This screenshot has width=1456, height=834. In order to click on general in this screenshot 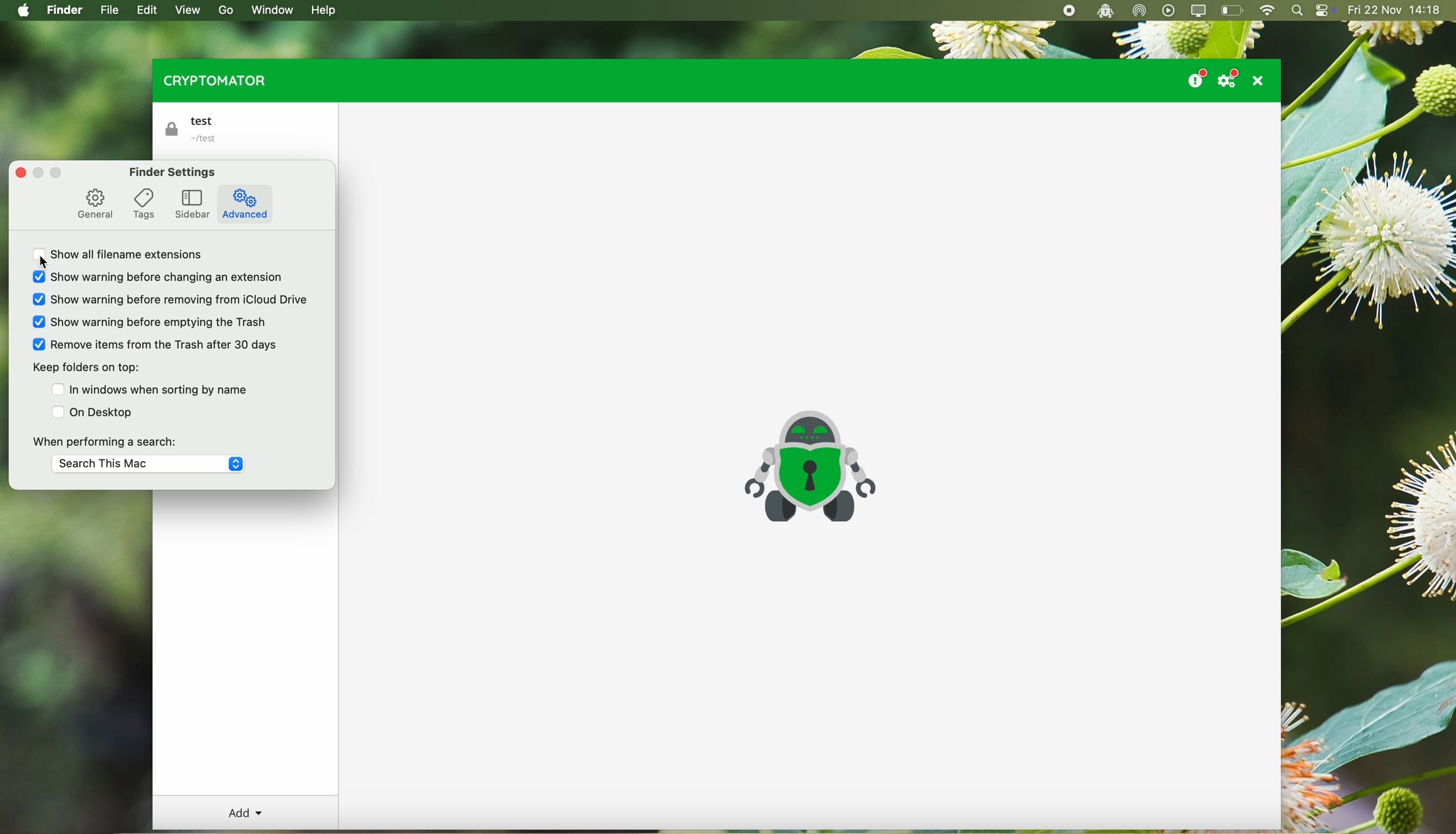, I will do `click(94, 204)`.